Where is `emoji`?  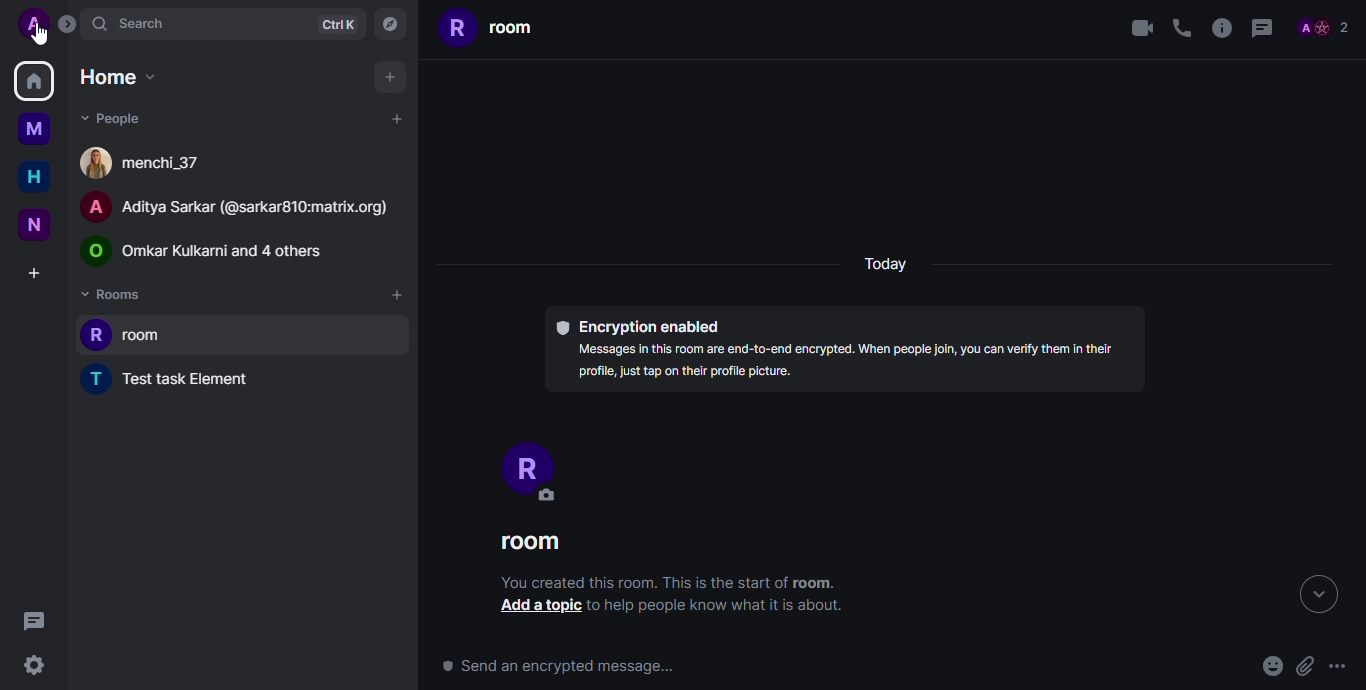 emoji is located at coordinates (1272, 667).